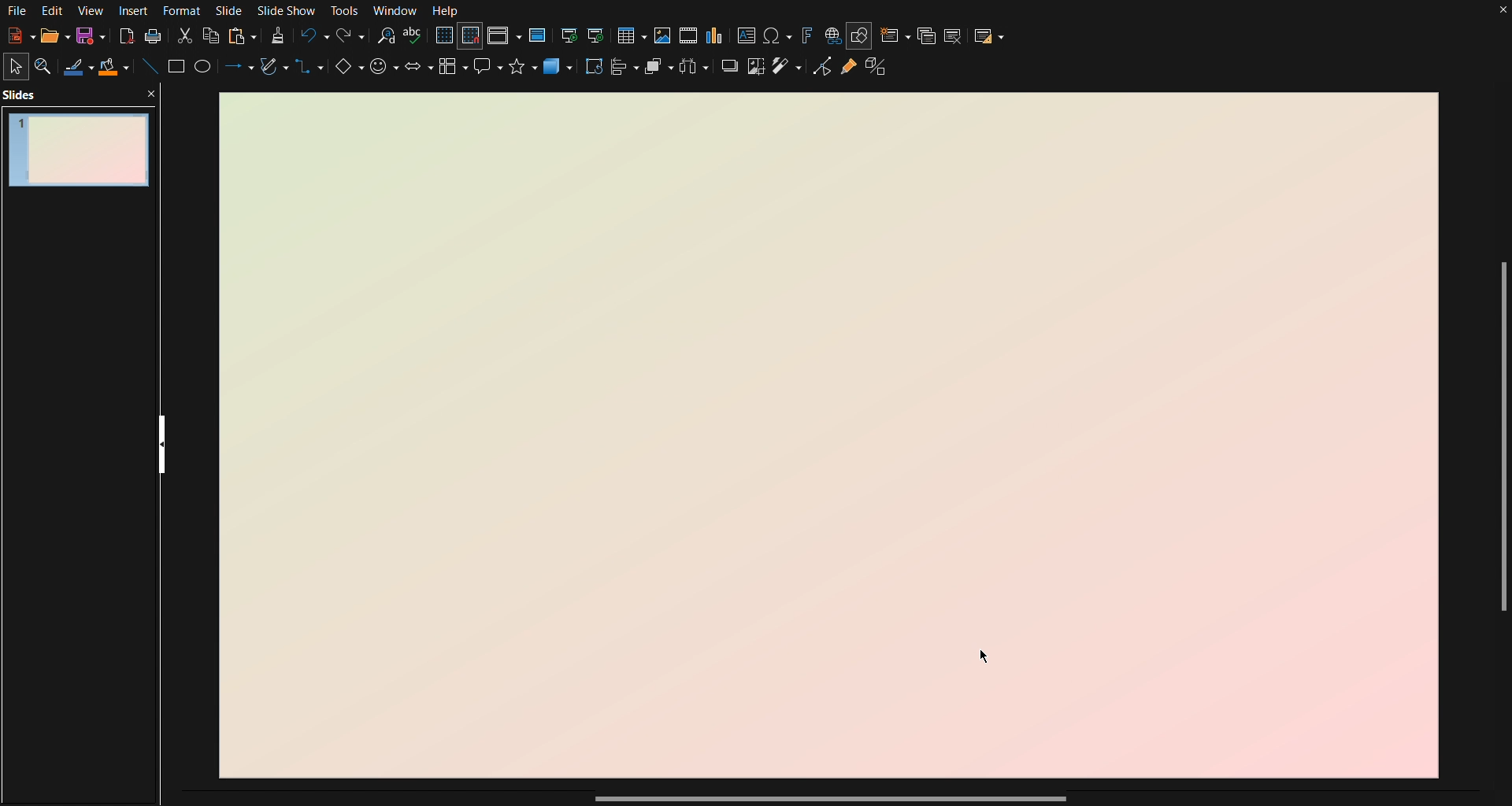 This screenshot has height=806, width=1512. What do you see at coordinates (787, 72) in the screenshot?
I see `Wand tool` at bounding box center [787, 72].